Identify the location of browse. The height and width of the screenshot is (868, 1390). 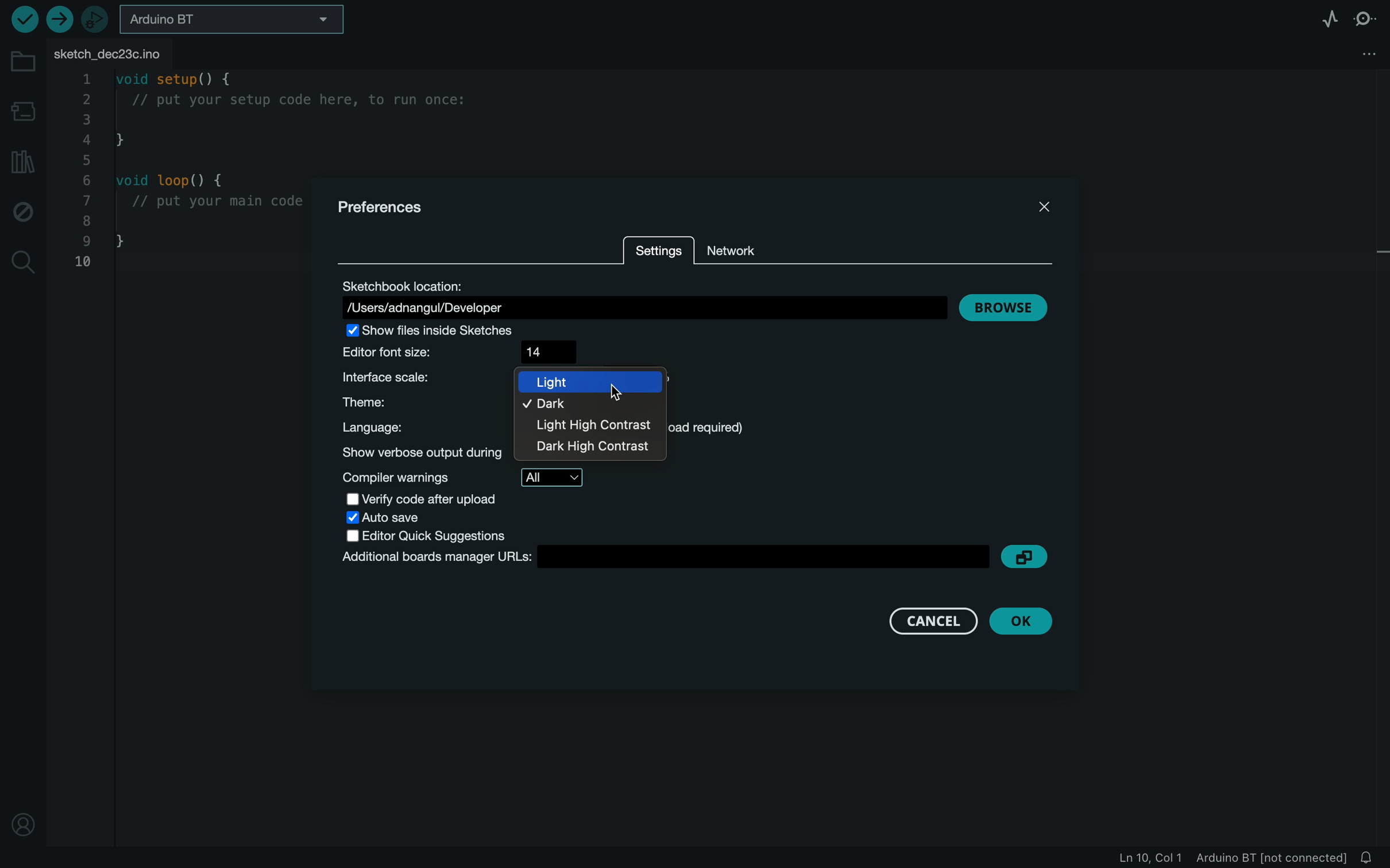
(1010, 308).